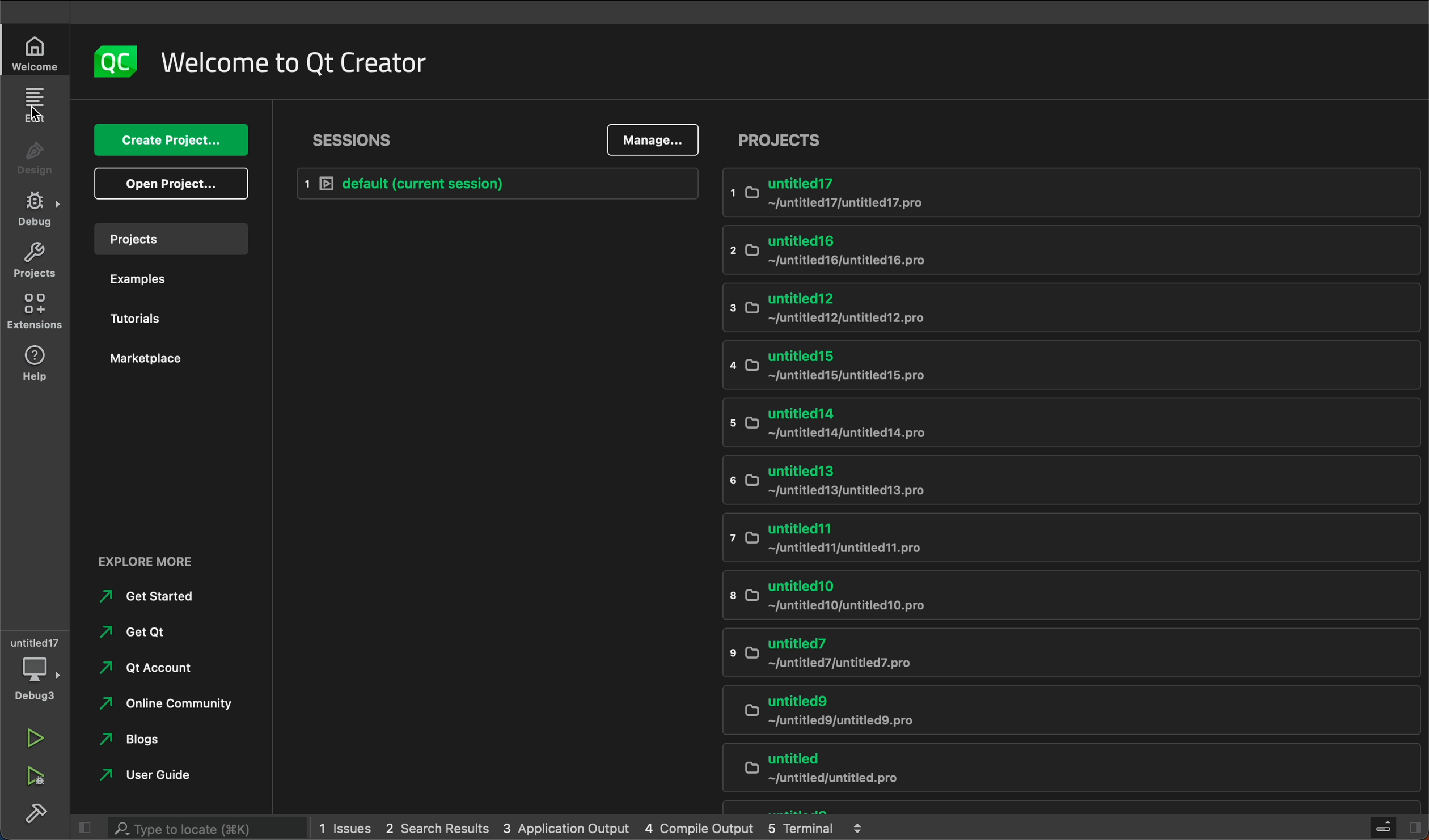 The height and width of the screenshot is (840, 1429). What do you see at coordinates (143, 671) in the screenshot?
I see `qt account` at bounding box center [143, 671].